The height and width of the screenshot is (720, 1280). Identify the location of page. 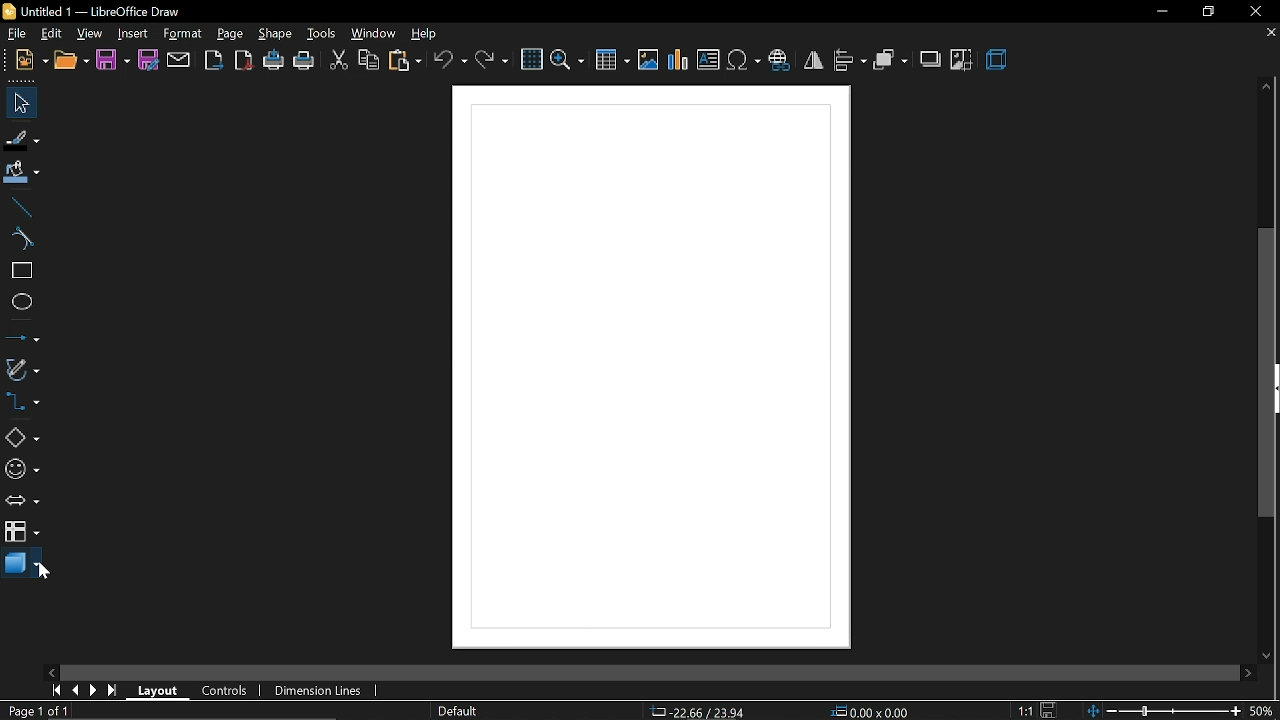
(228, 34).